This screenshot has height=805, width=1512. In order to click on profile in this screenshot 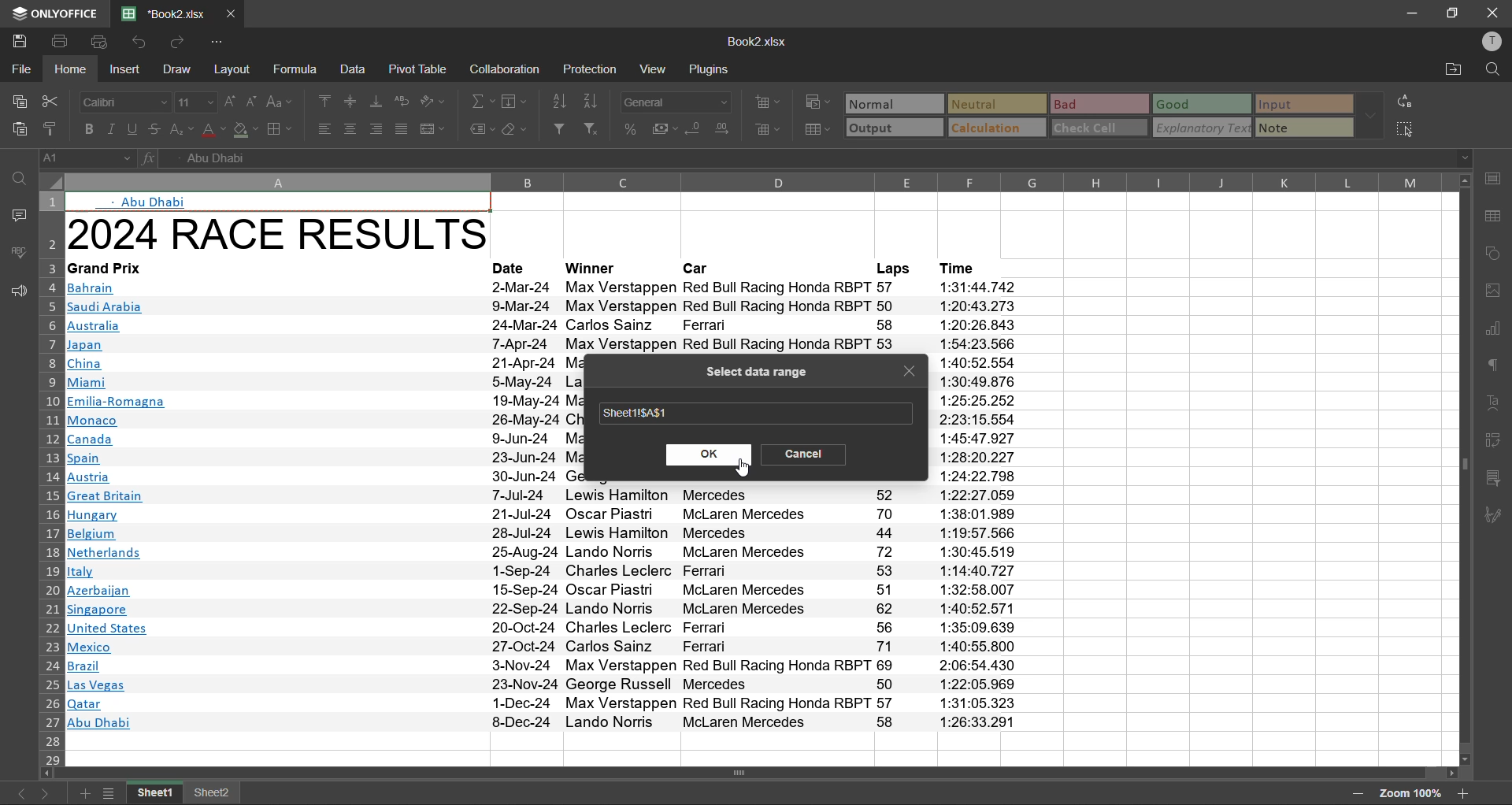, I will do `click(1490, 41)`.